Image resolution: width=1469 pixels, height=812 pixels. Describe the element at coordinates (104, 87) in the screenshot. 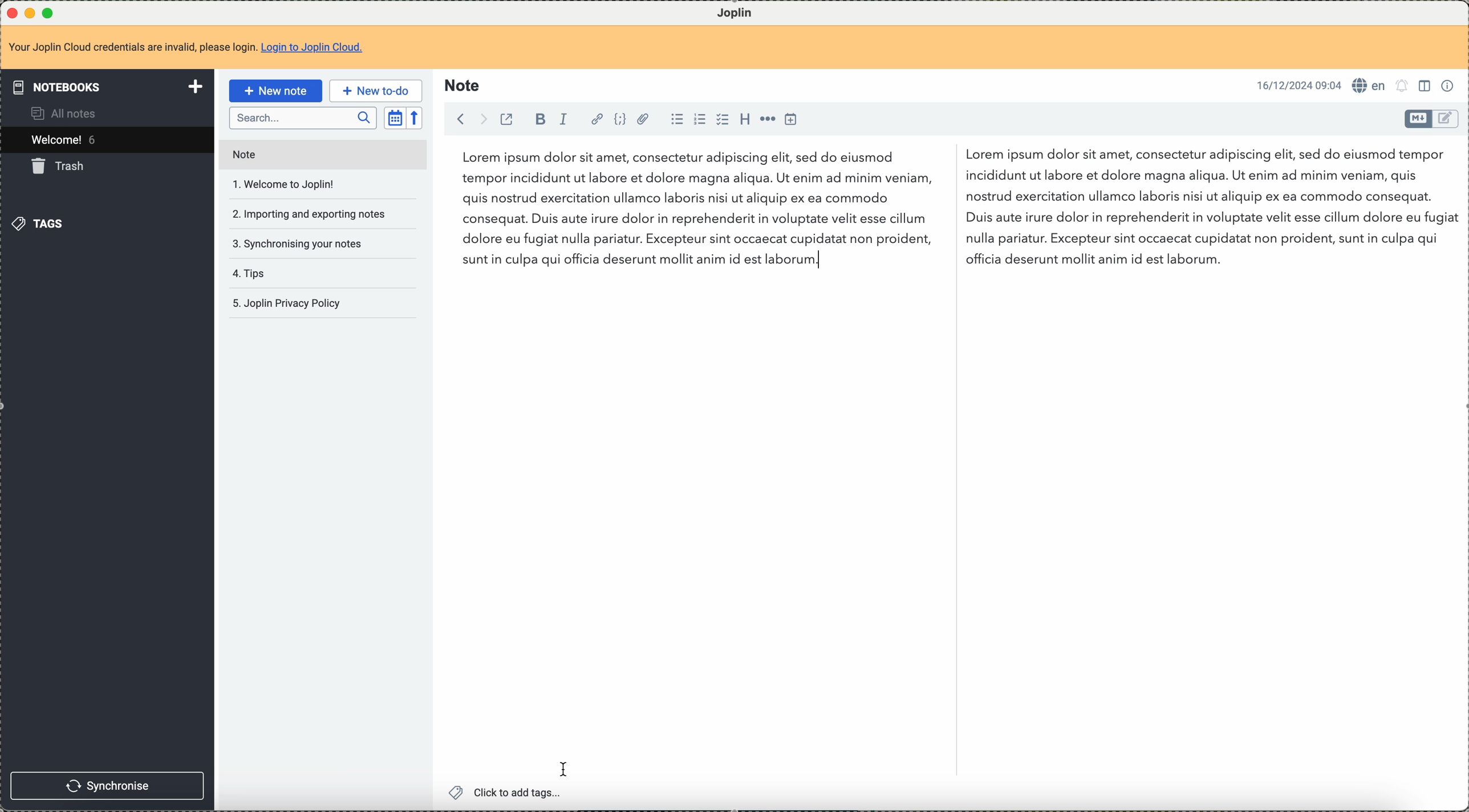

I see `notebooks` at that location.